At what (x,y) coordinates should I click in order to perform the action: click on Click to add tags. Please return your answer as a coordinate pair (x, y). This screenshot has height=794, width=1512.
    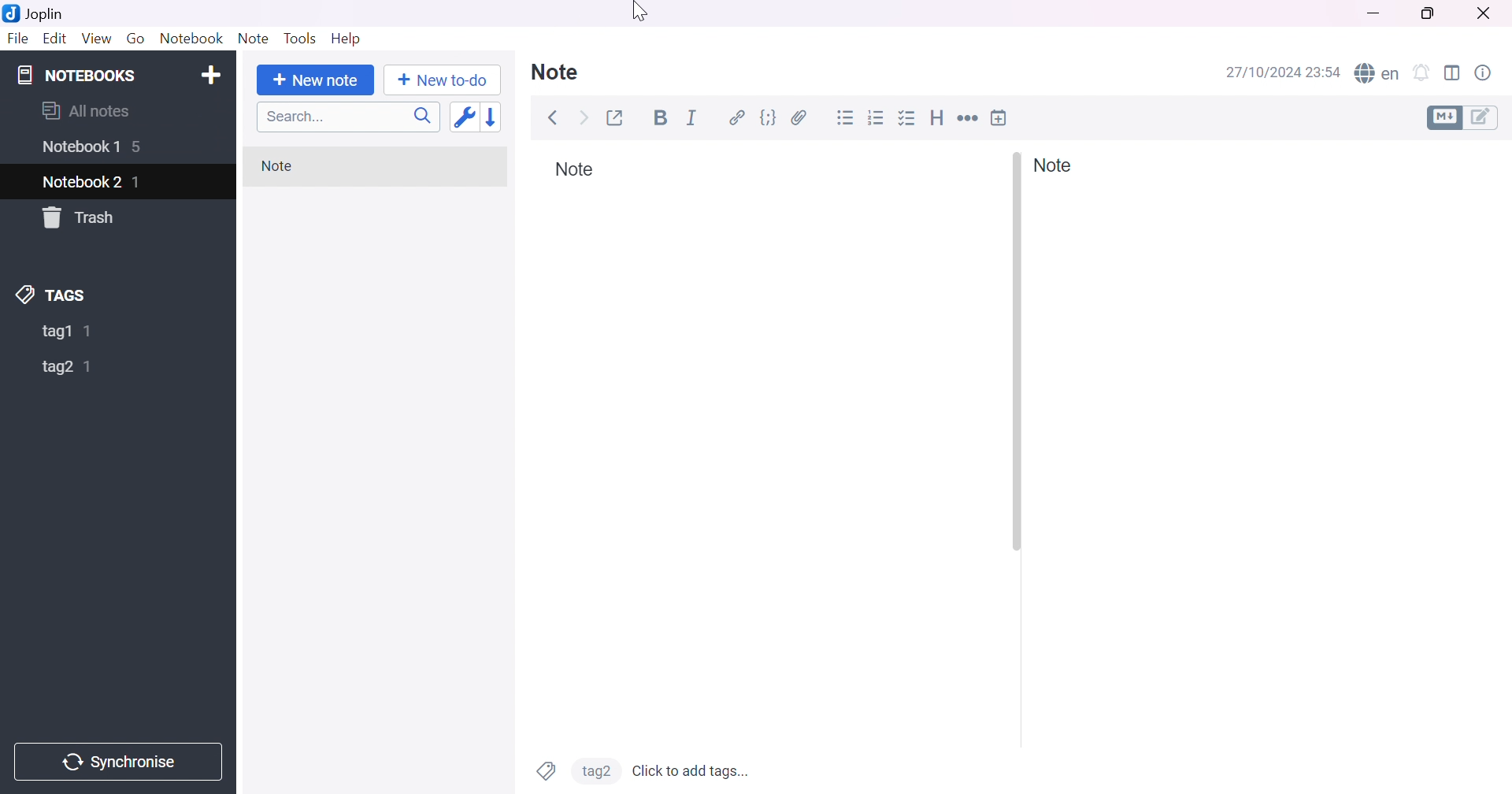
    Looking at the image, I should click on (692, 769).